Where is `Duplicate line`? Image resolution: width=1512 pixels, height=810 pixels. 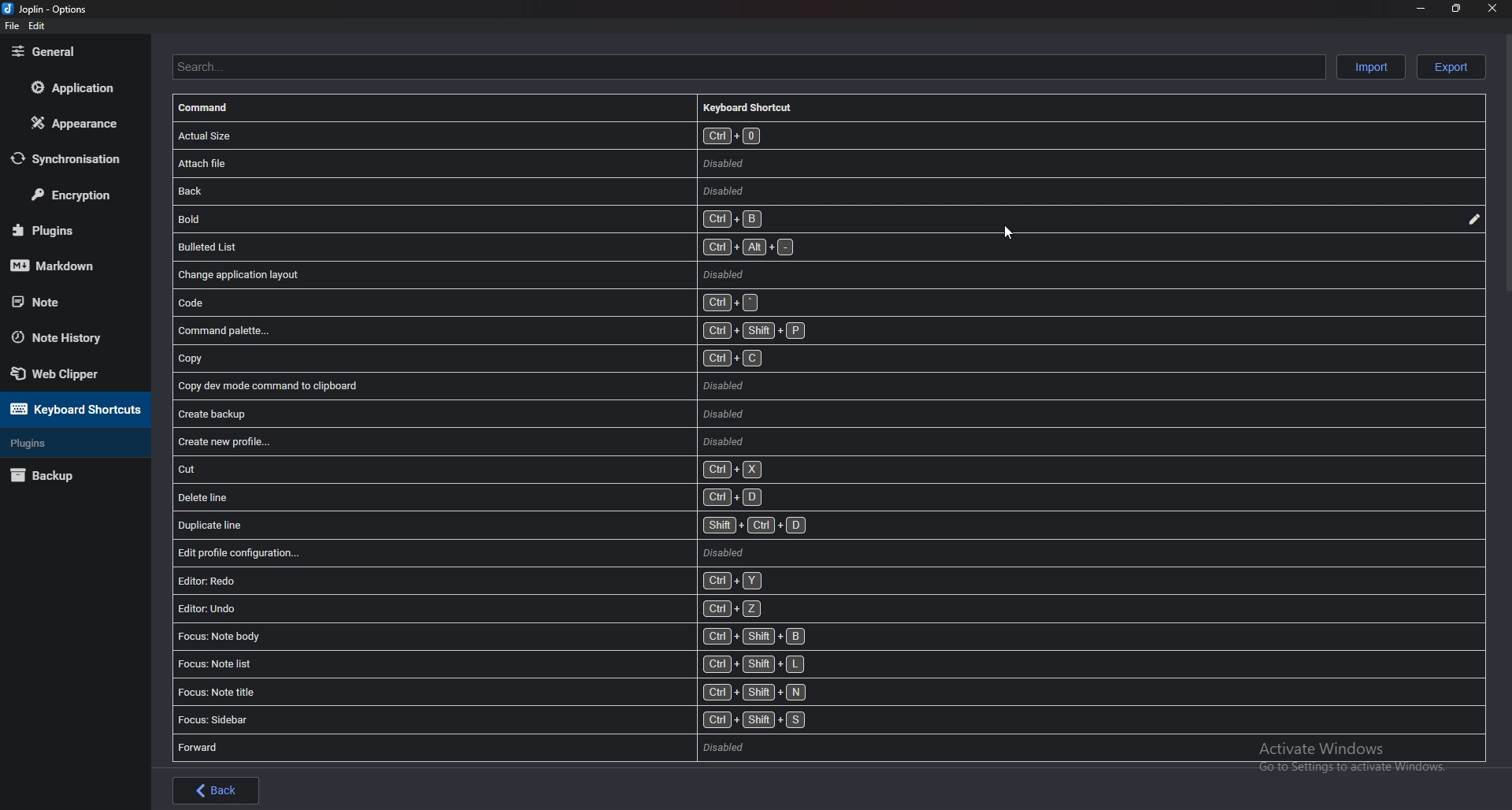 Duplicate line is located at coordinates (493, 526).